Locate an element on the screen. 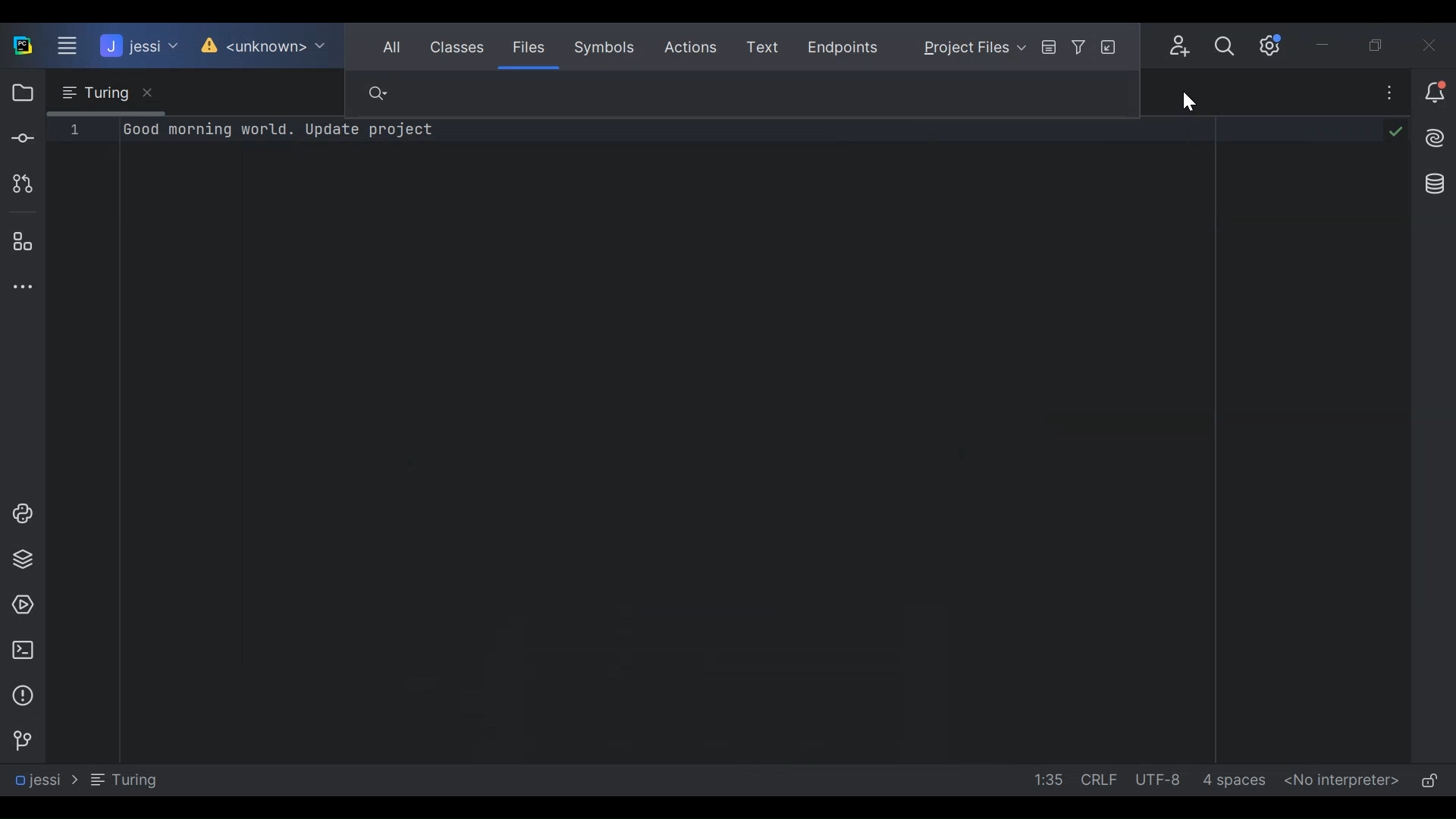 The width and height of the screenshot is (1456, 819). 1:35 is located at coordinates (1043, 781).